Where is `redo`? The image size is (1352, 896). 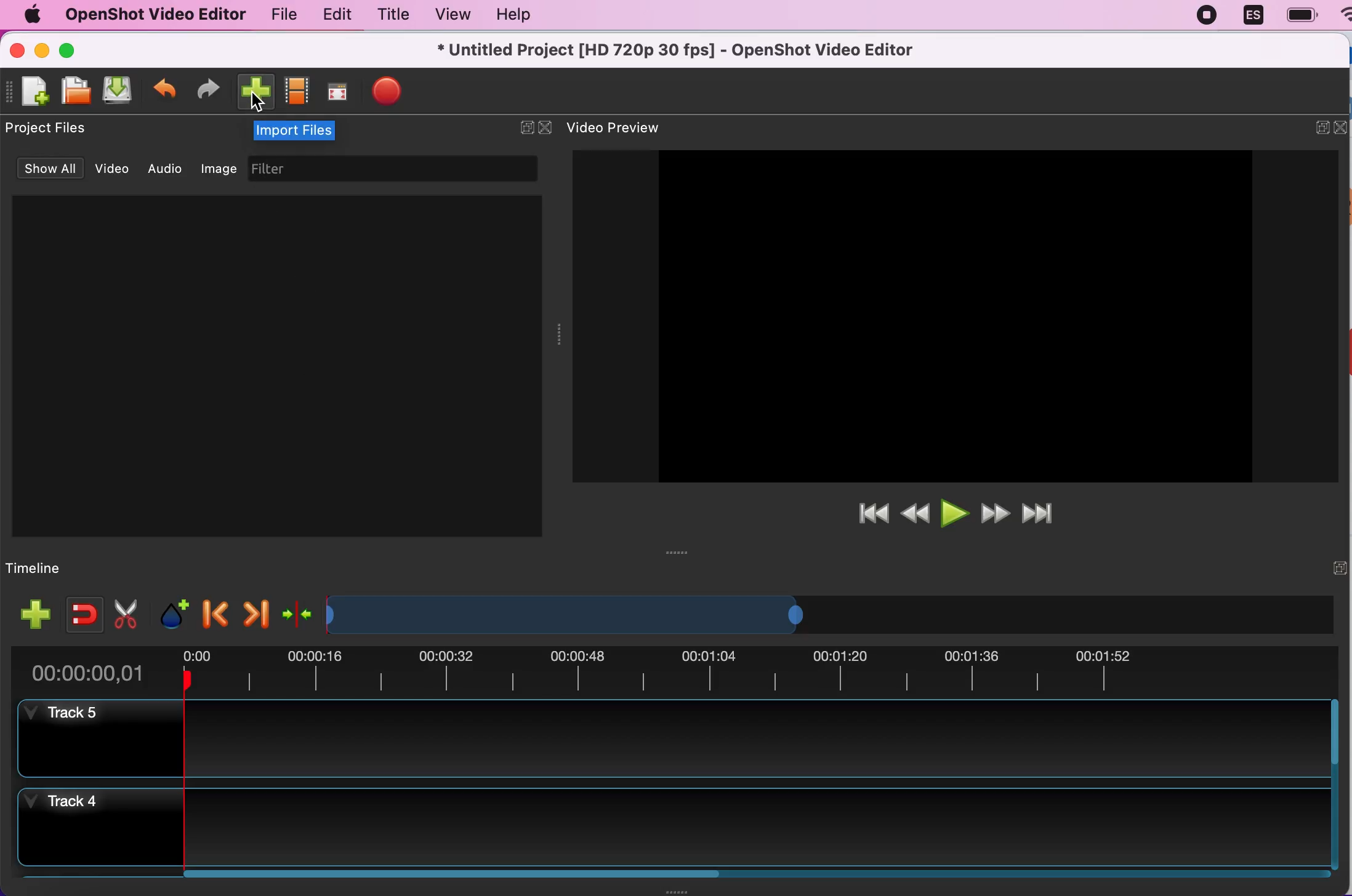 redo is located at coordinates (209, 90).